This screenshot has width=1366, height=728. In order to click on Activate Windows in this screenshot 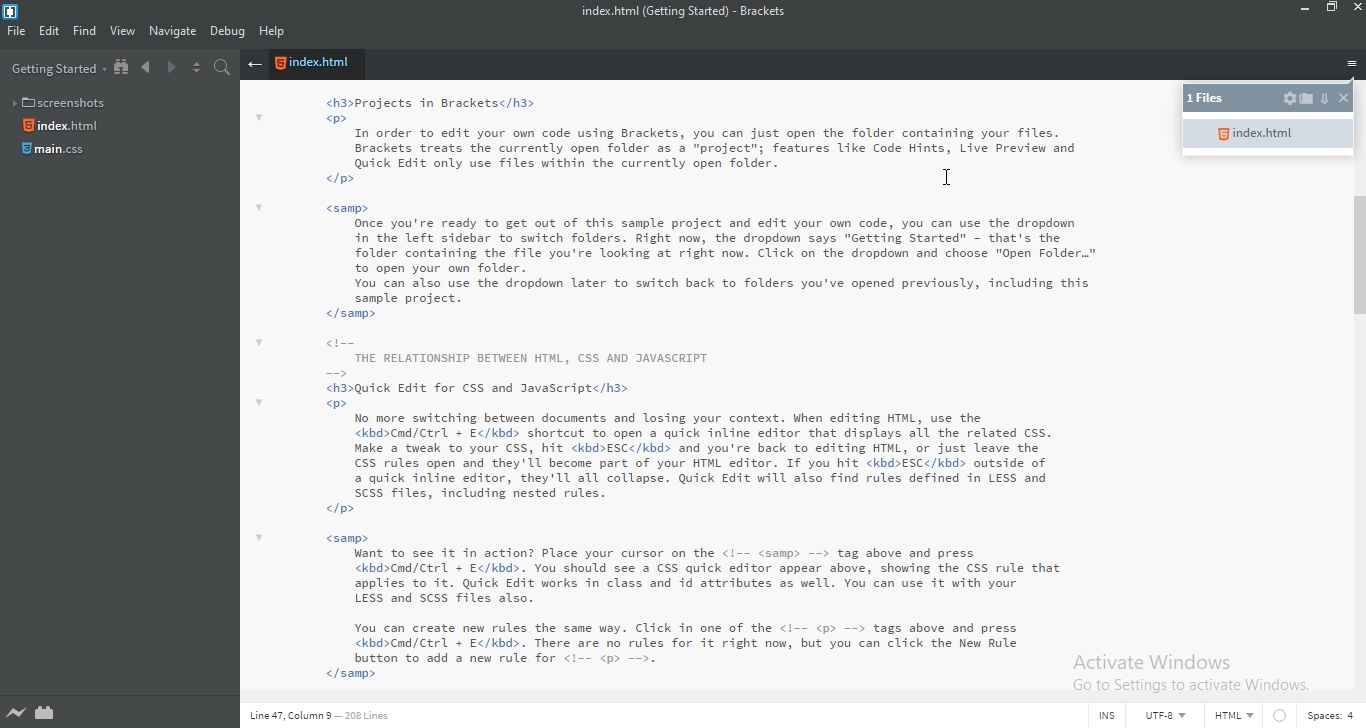, I will do `click(1191, 675)`.